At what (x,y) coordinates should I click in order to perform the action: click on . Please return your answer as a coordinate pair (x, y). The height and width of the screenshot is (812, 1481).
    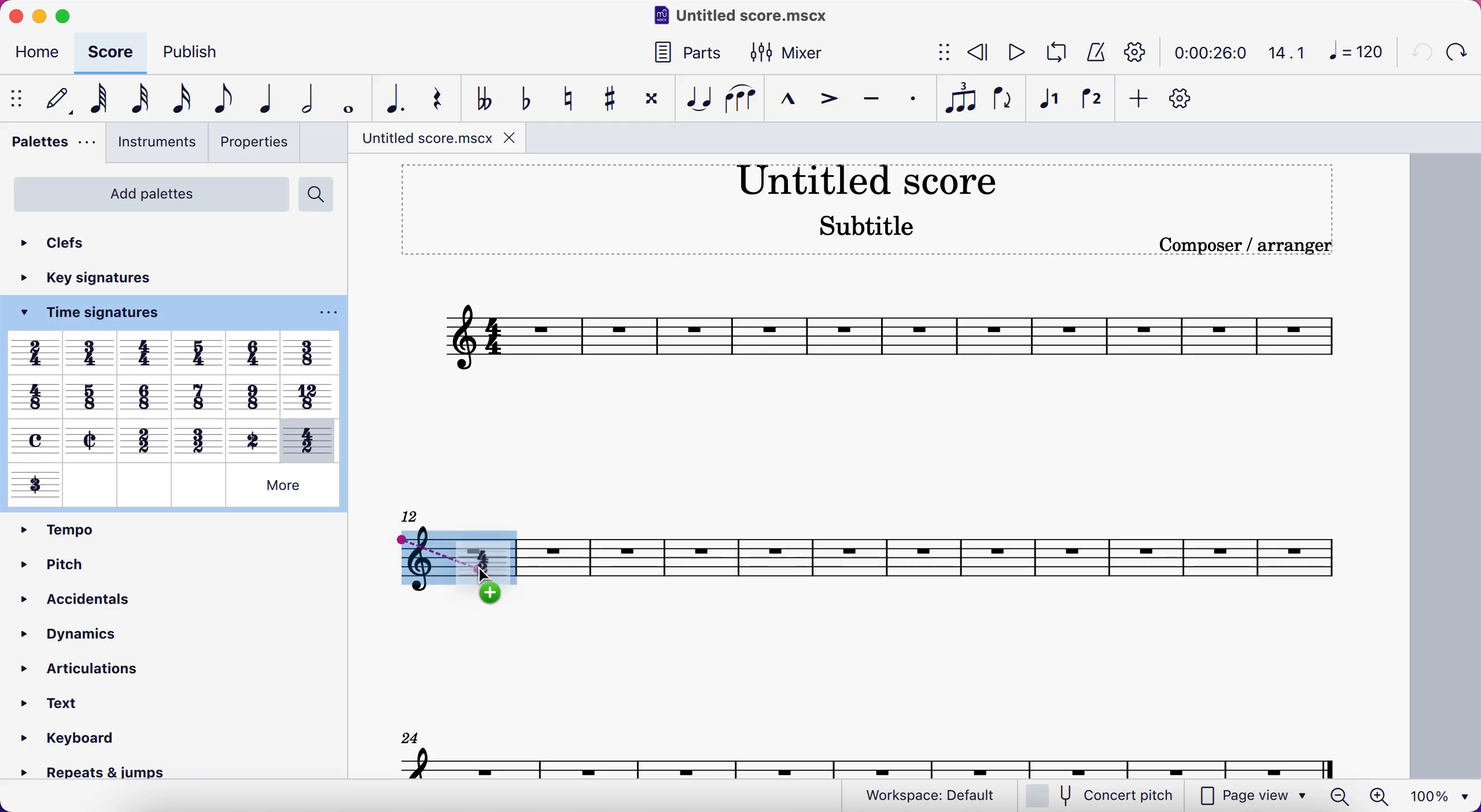
    Looking at the image, I should click on (197, 439).